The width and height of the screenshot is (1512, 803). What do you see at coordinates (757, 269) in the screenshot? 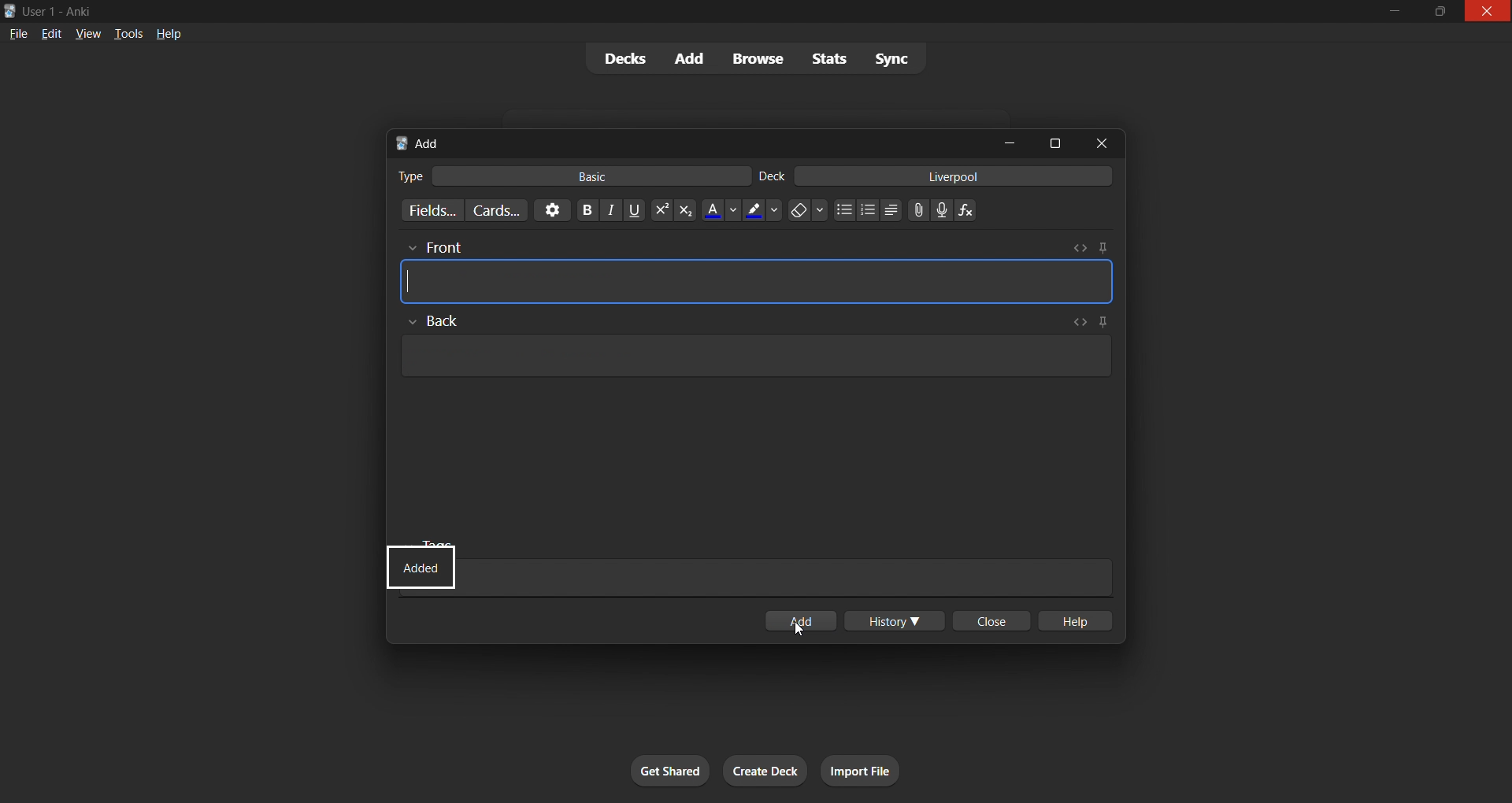
I see `card front input` at bounding box center [757, 269].